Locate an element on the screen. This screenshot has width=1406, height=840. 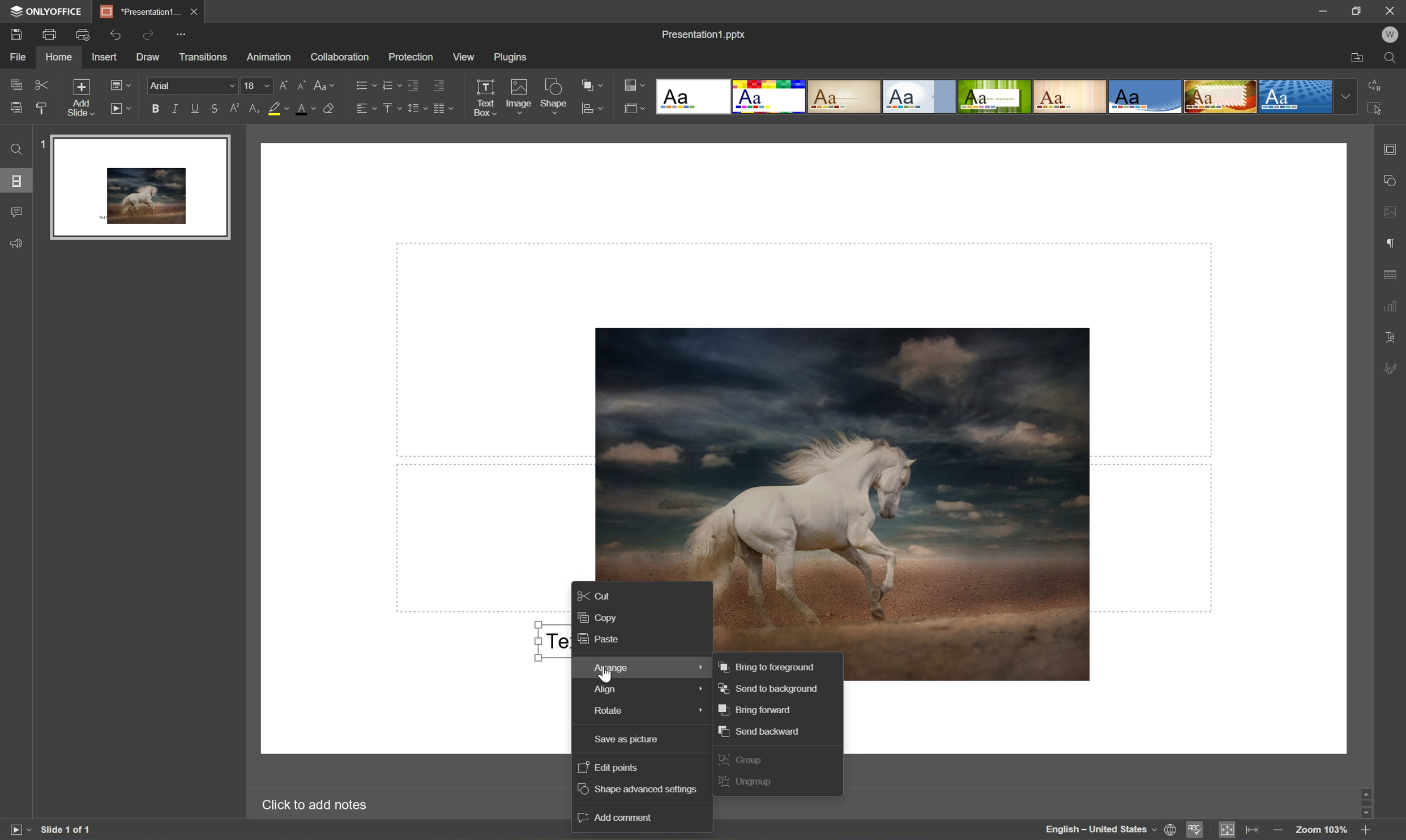
Restore Down is located at coordinates (1357, 9).